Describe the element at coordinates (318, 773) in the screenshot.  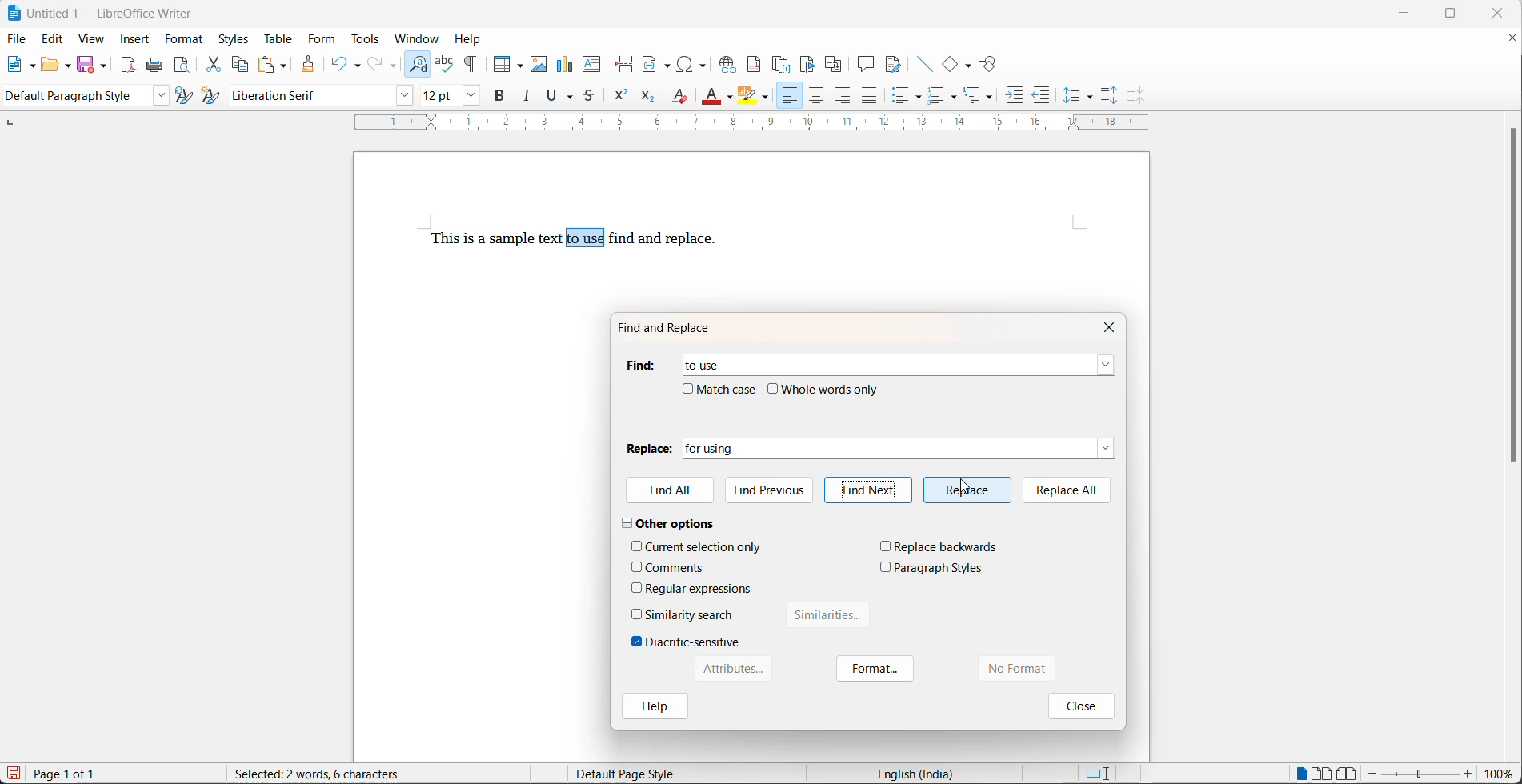
I see `10 words, 46 characters` at that location.